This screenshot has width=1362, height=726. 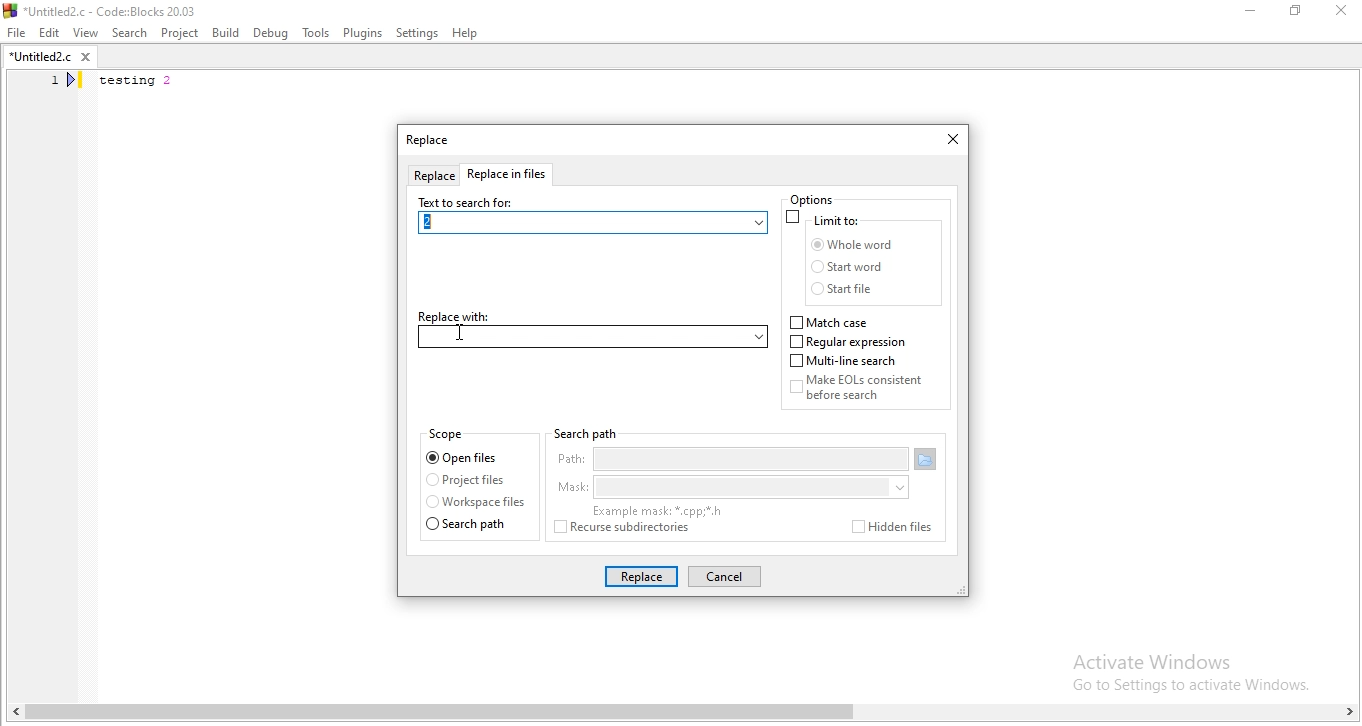 I want to click on settings, so click(x=418, y=33).